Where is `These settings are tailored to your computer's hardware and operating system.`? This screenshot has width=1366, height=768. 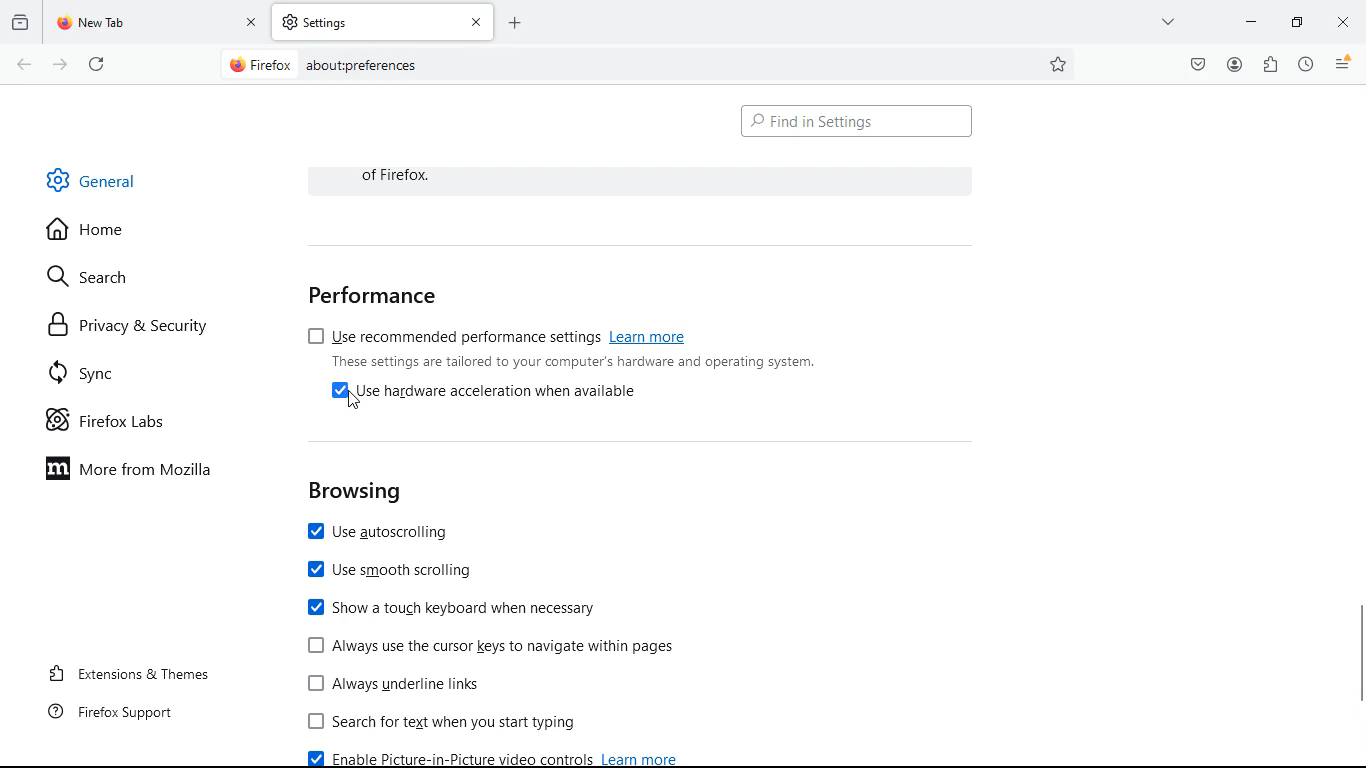
These settings are tailored to your computer's hardware and operating system. is located at coordinates (575, 363).